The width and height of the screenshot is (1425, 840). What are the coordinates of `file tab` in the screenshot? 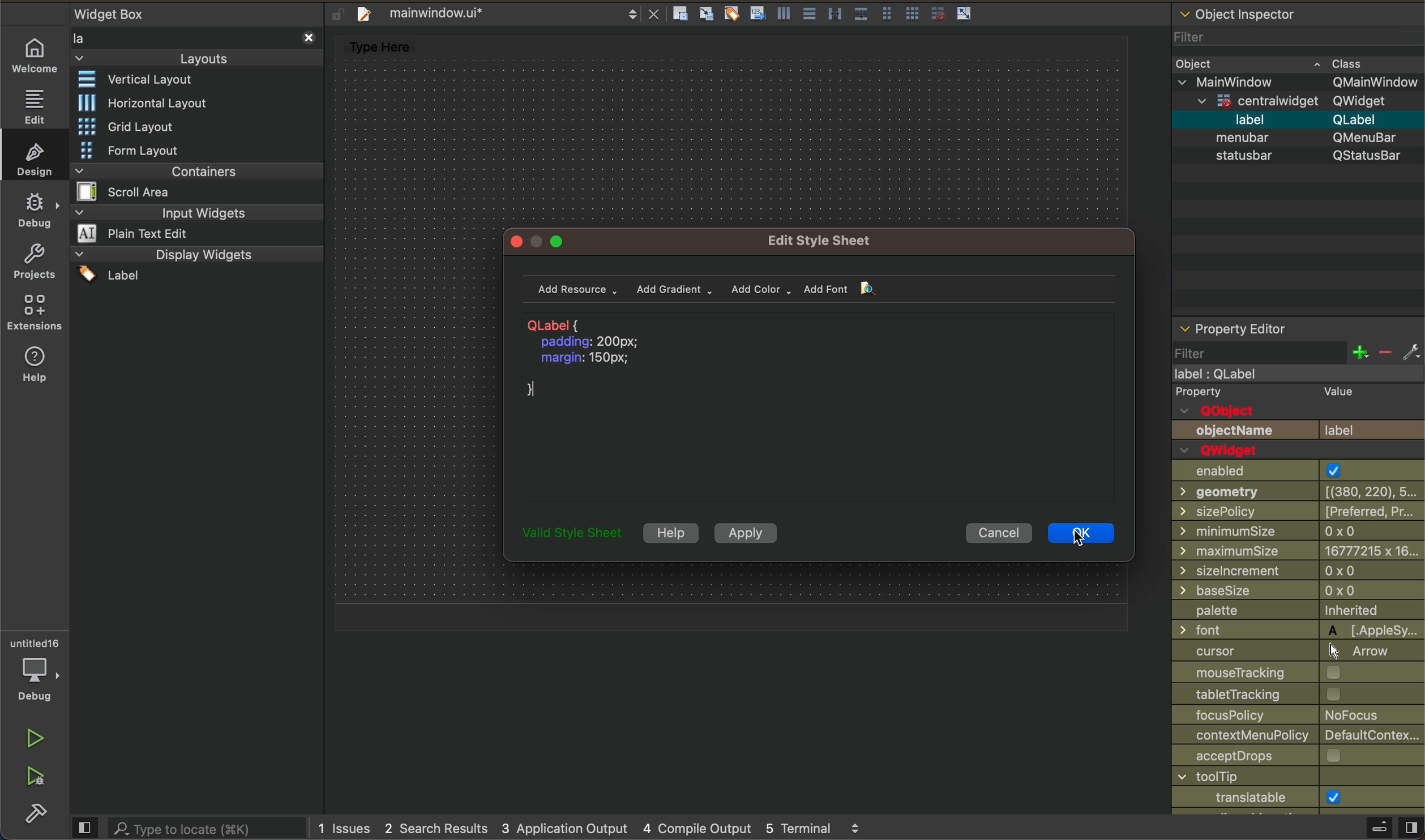 It's located at (508, 12).